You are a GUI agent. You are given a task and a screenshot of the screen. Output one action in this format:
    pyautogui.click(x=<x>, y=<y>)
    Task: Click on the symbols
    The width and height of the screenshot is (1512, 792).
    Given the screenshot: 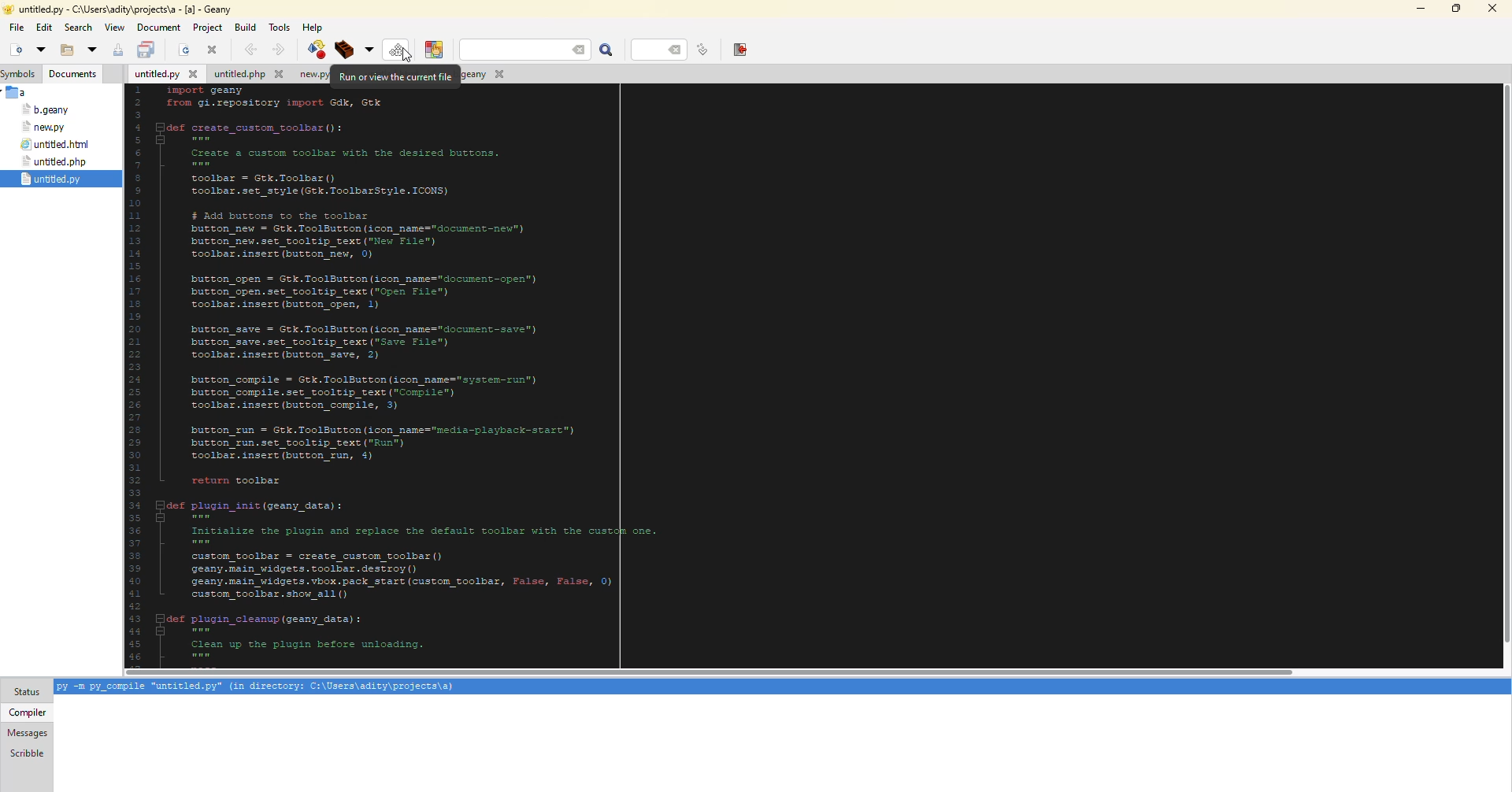 What is the action you would take?
    pyautogui.click(x=19, y=75)
    